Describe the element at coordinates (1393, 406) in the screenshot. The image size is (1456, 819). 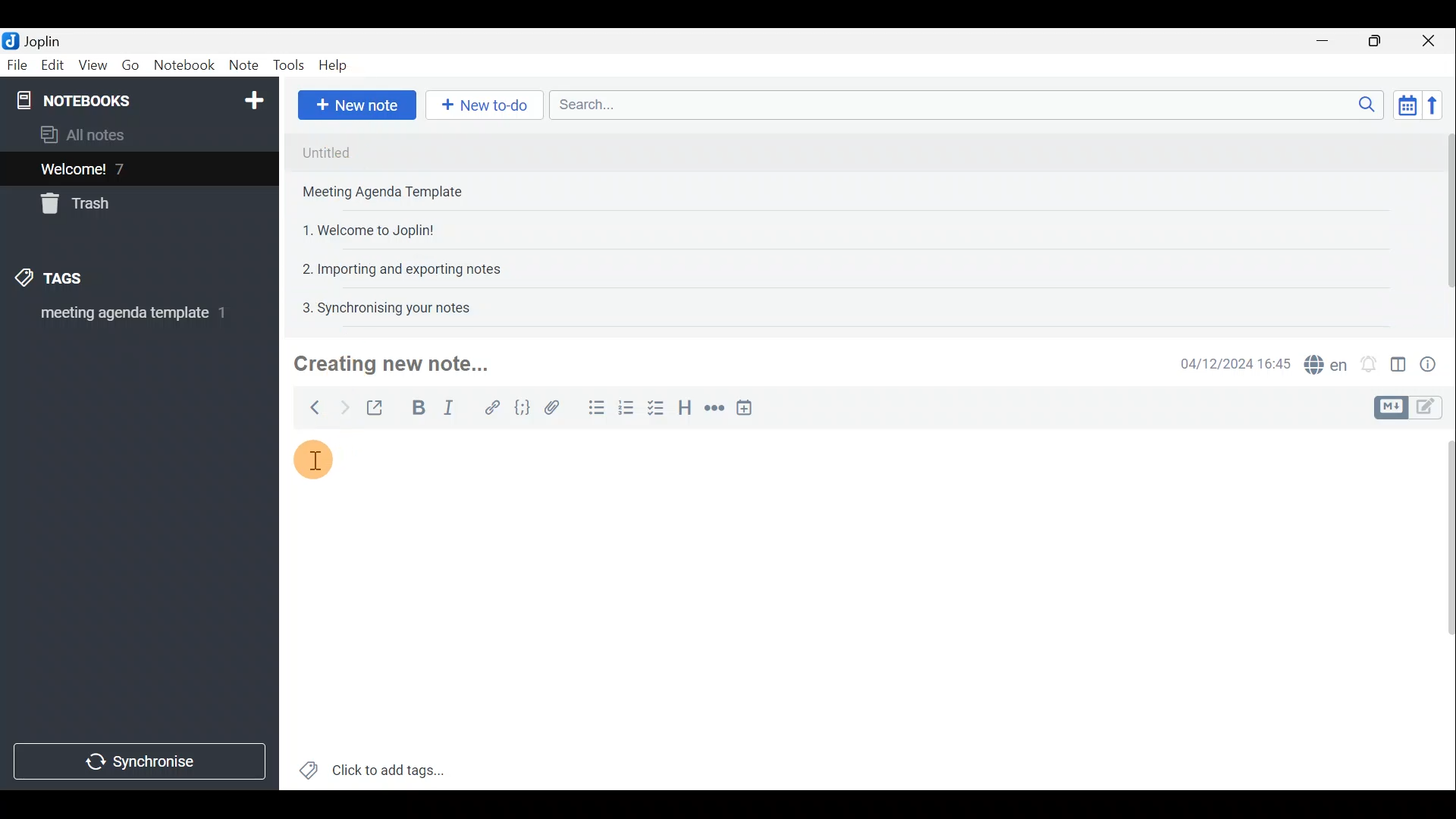
I see `Toggle editors` at that location.